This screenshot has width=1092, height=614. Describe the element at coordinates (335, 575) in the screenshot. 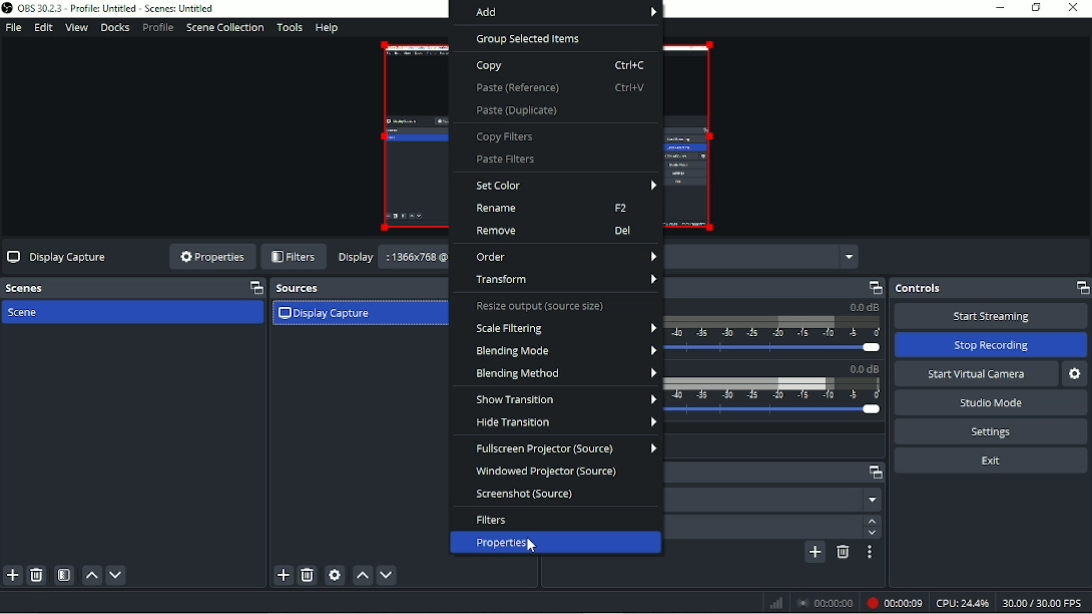

I see `Open source properties` at that location.